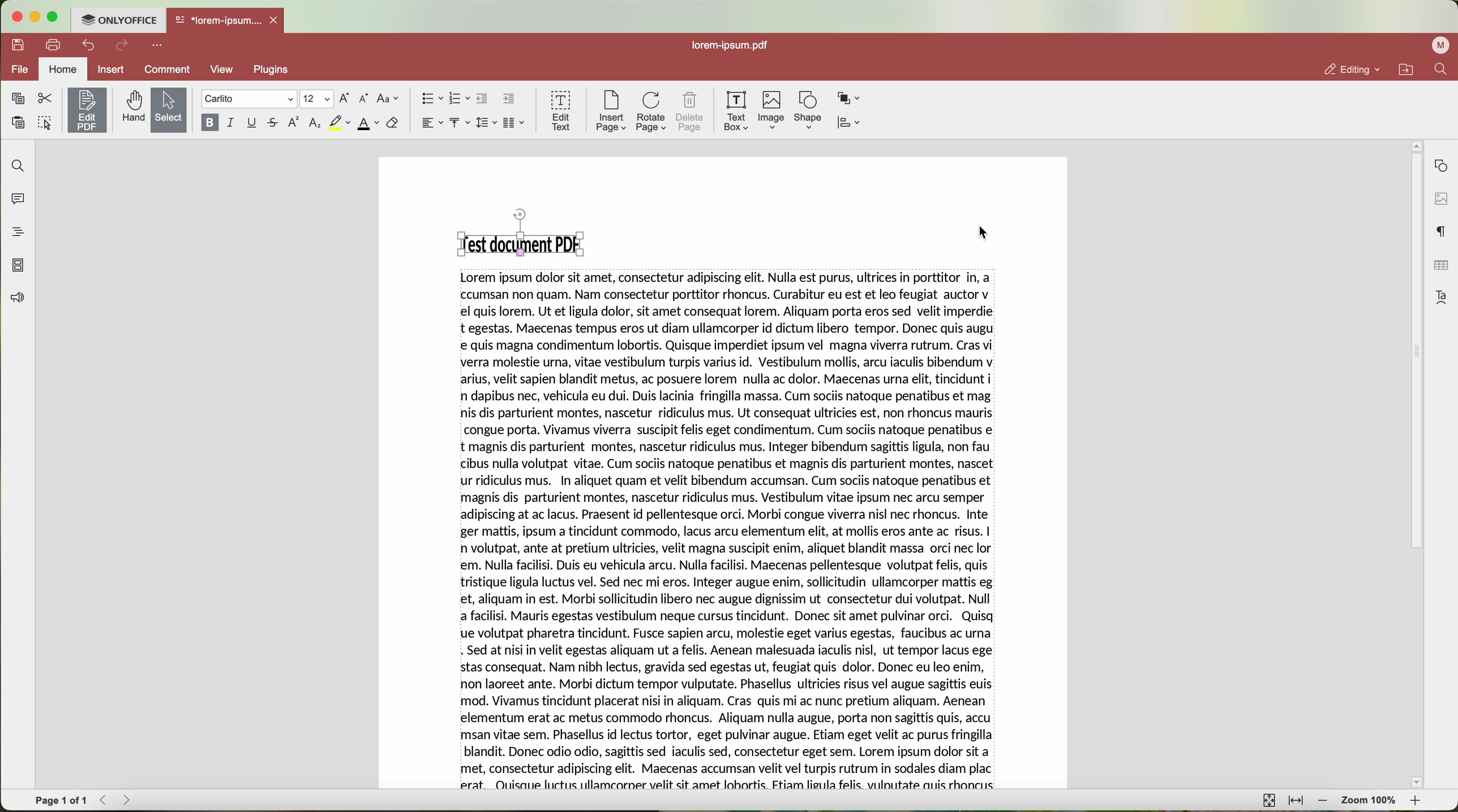 Image resolution: width=1458 pixels, height=812 pixels. I want to click on zoom in, so click(1418, 800).